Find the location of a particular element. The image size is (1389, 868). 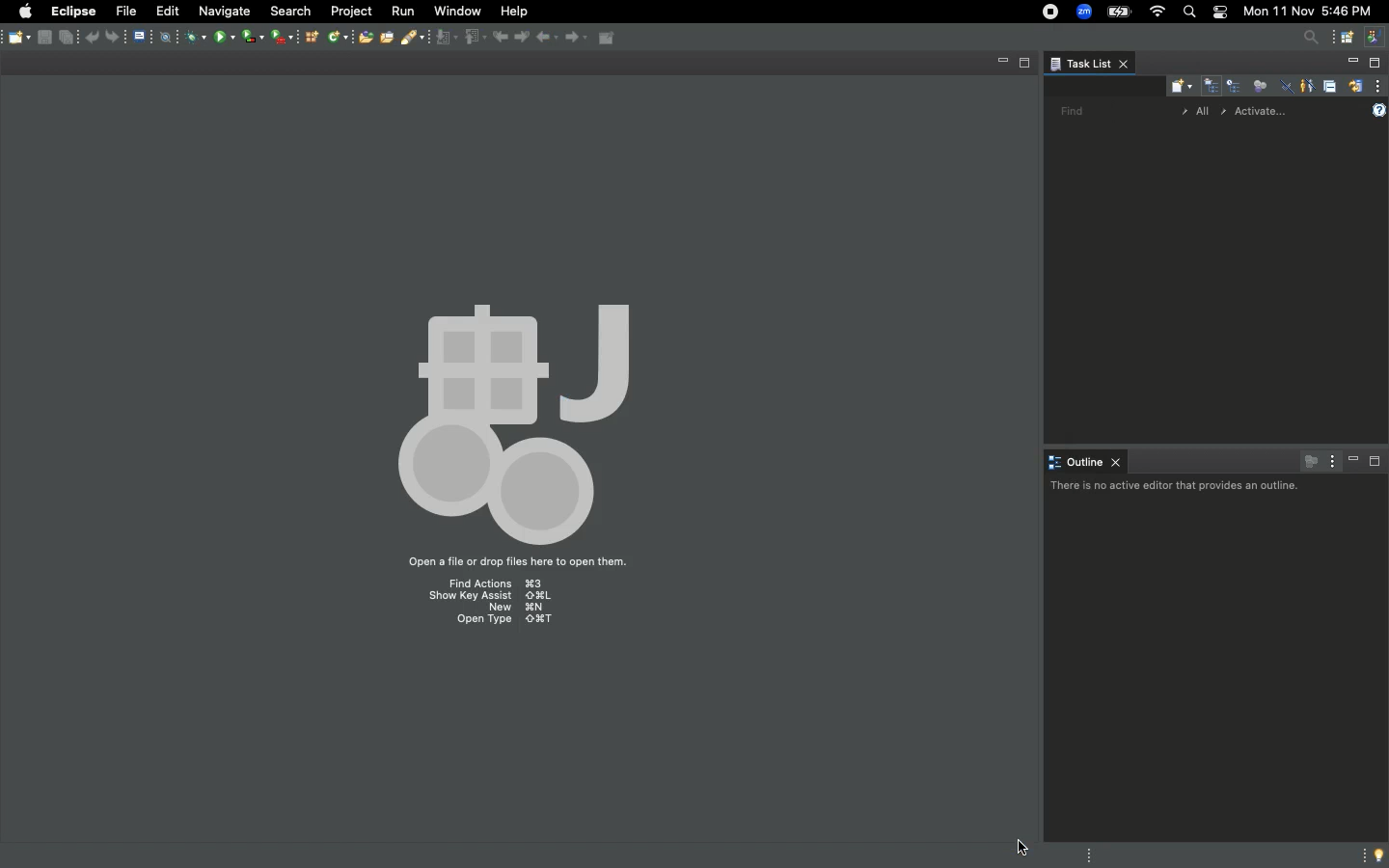

Hide completed tasks is located at coordinates (1283, 87).